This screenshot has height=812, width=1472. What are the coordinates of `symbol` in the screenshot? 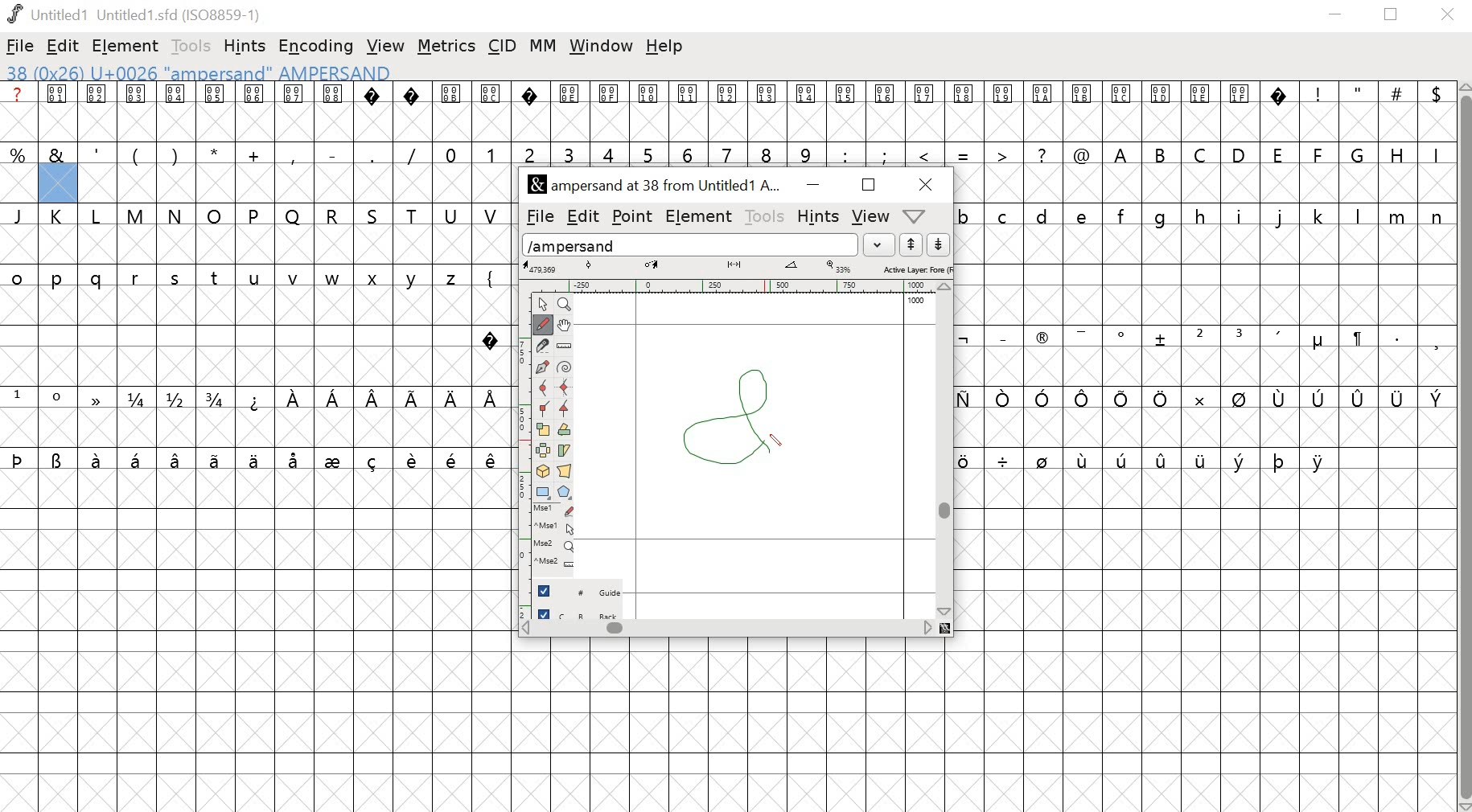 It's located at (1239, 399).